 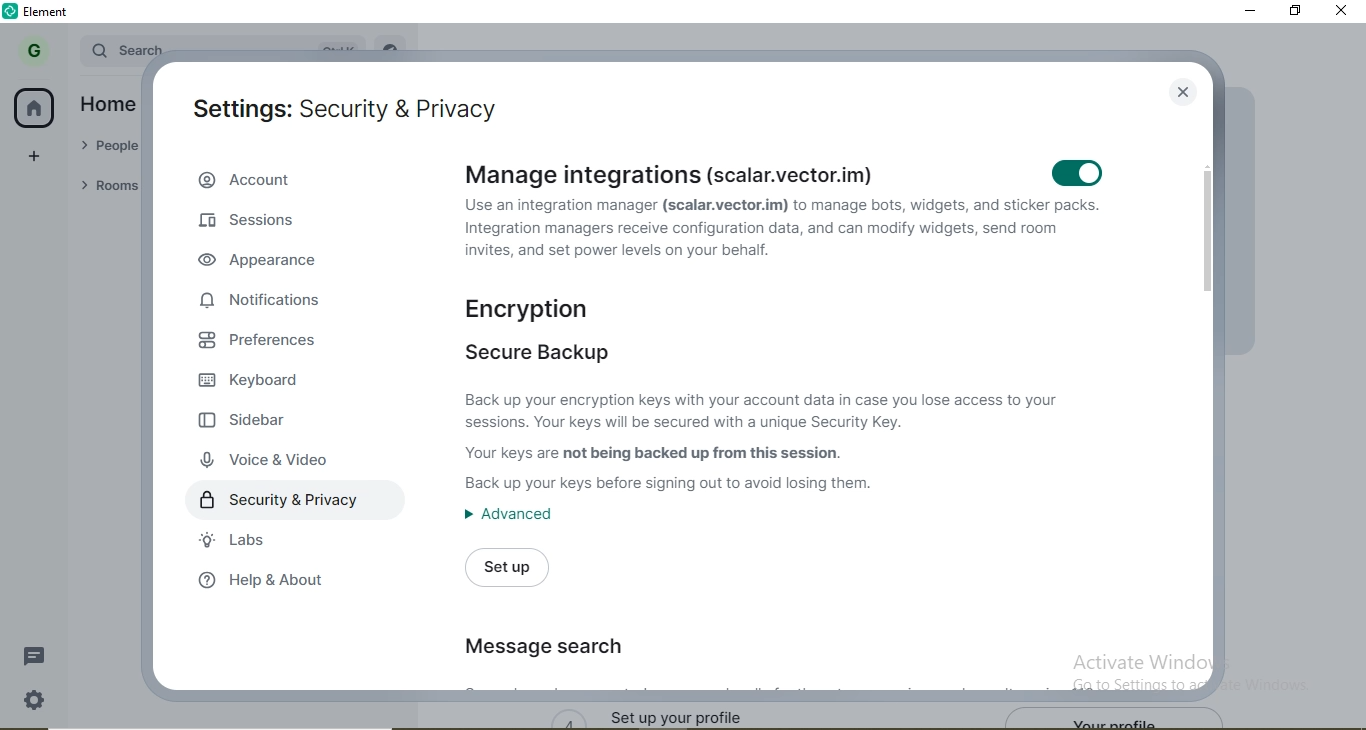 I want to click on Manage Integrations, so click(x=718, y=175).